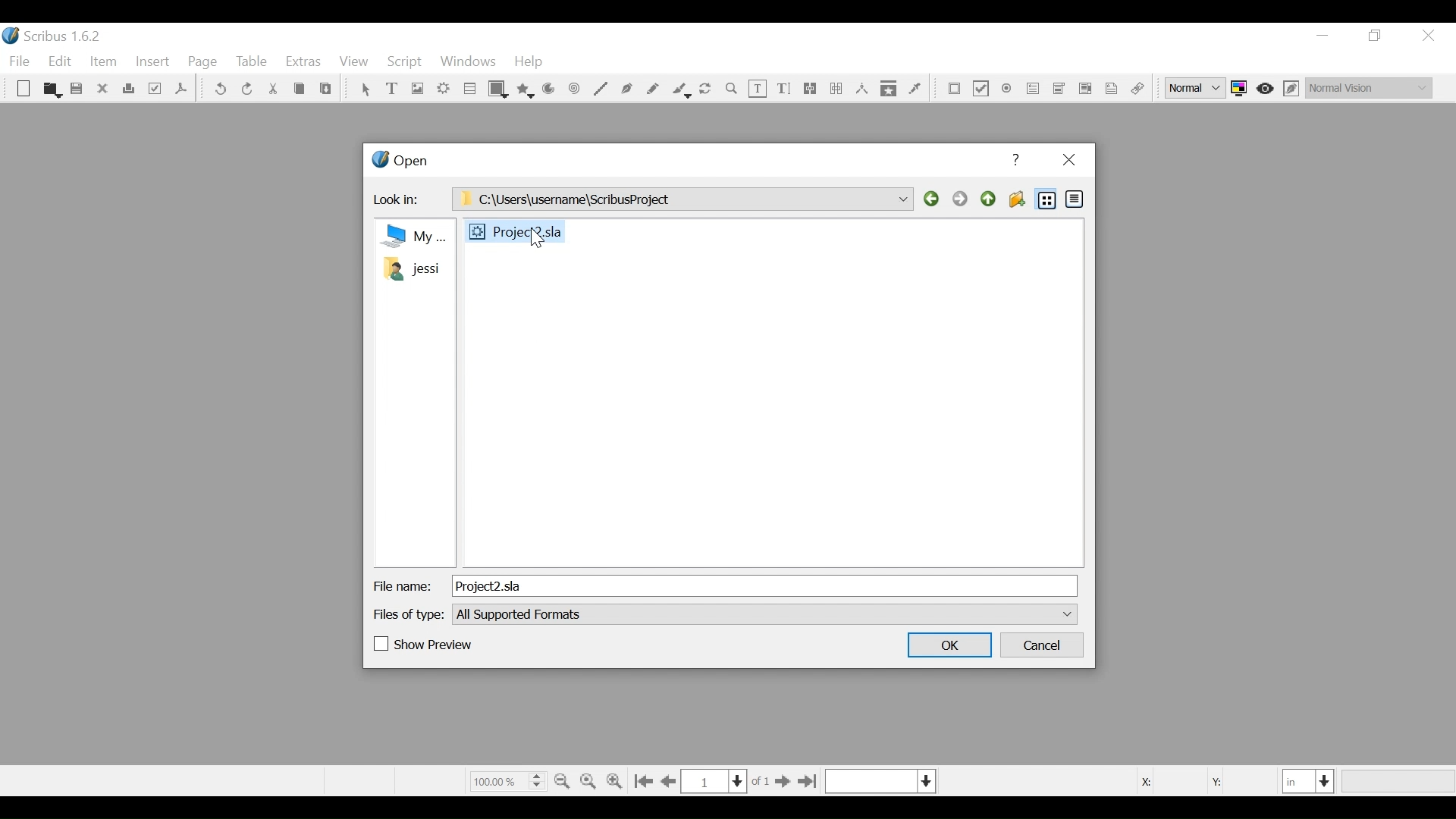 This screenshot has width=1456, height=819. What do you see at coordinates (102, 62) in the screenshot?
I see `Item` at bounding box center [102, 62].